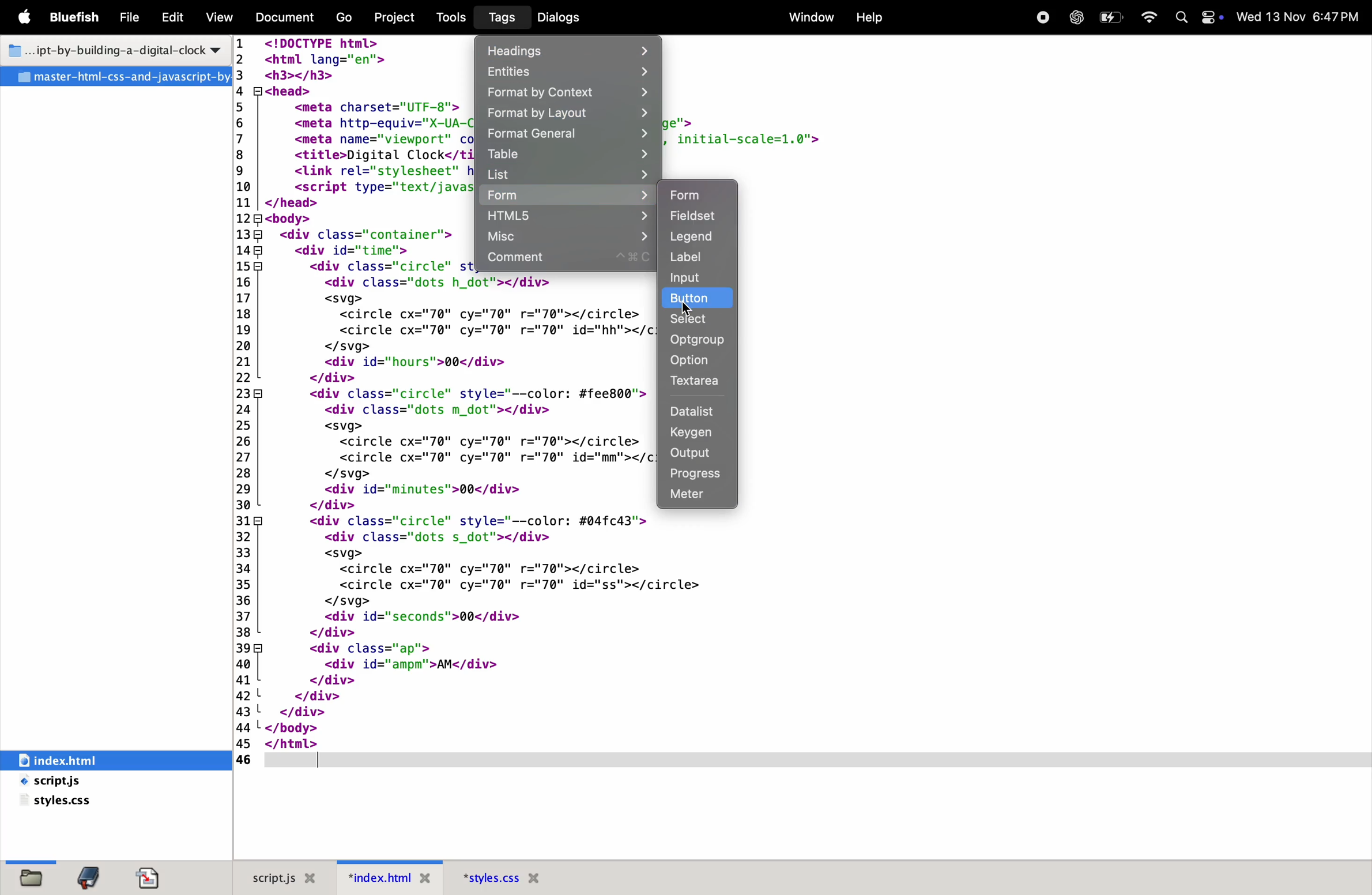  I want to click on option, so click(691, 363).